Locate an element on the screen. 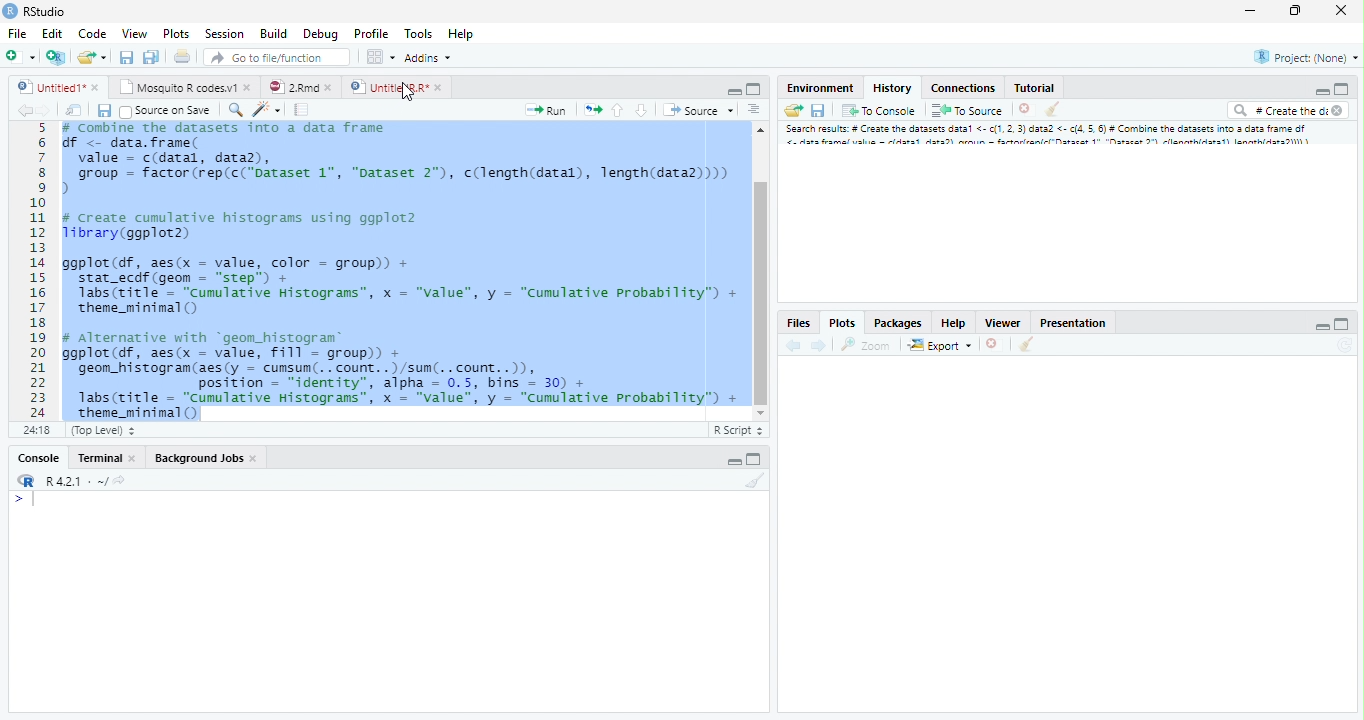  New file is located at coordinates (20, 55).